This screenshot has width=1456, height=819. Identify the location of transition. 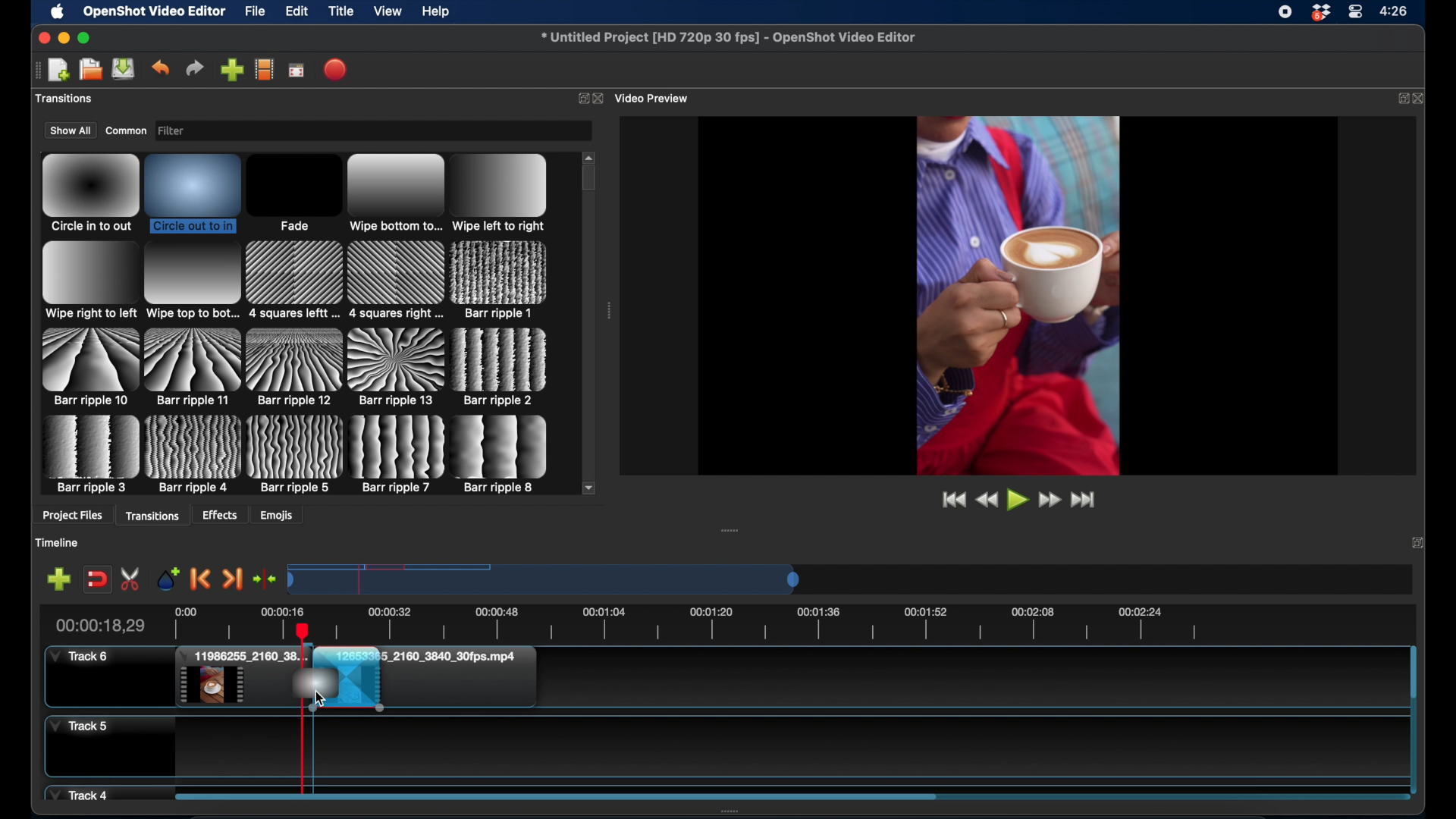
(293, 193).